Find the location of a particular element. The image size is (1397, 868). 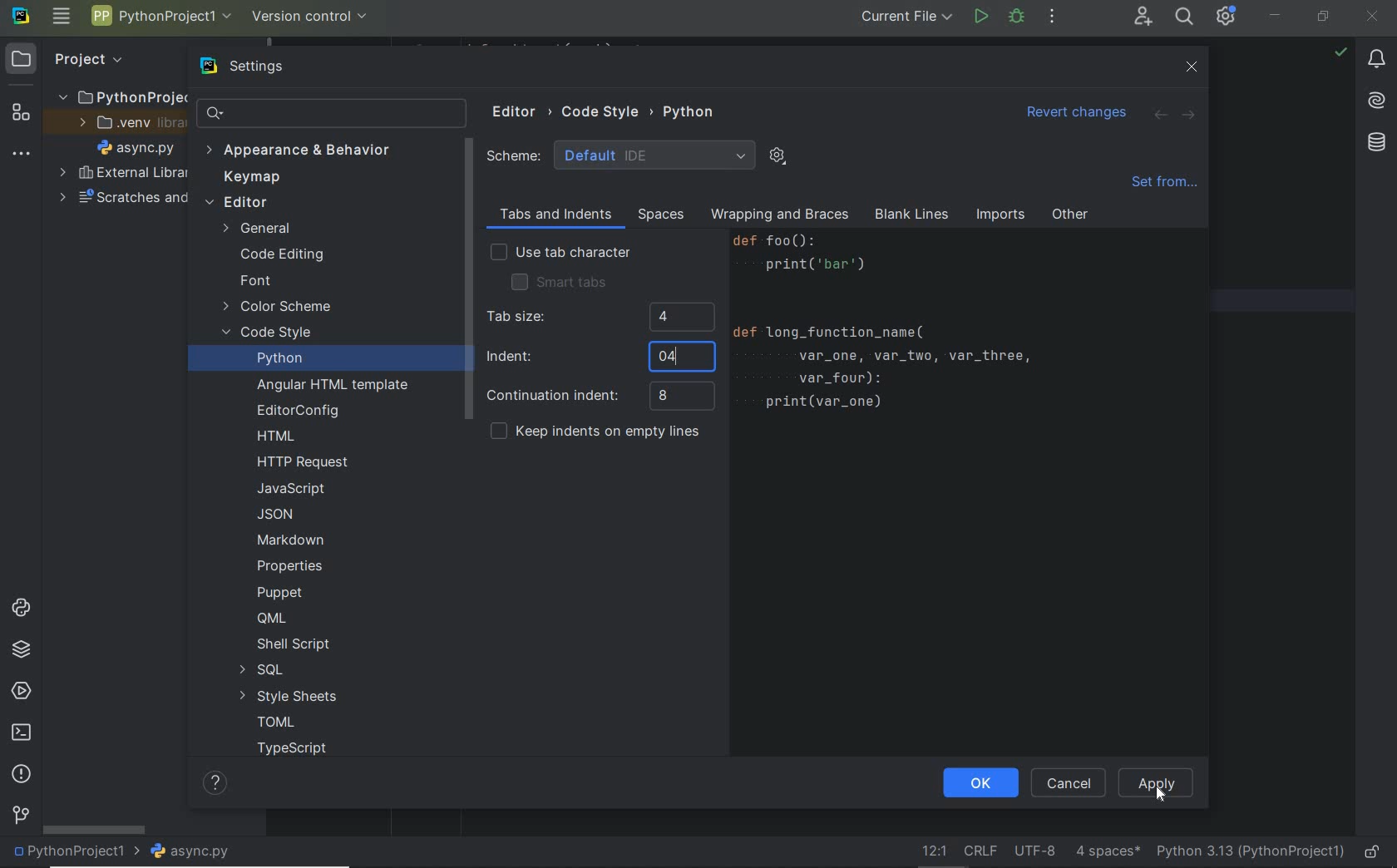

Editor is located at coordinates (521, 112).